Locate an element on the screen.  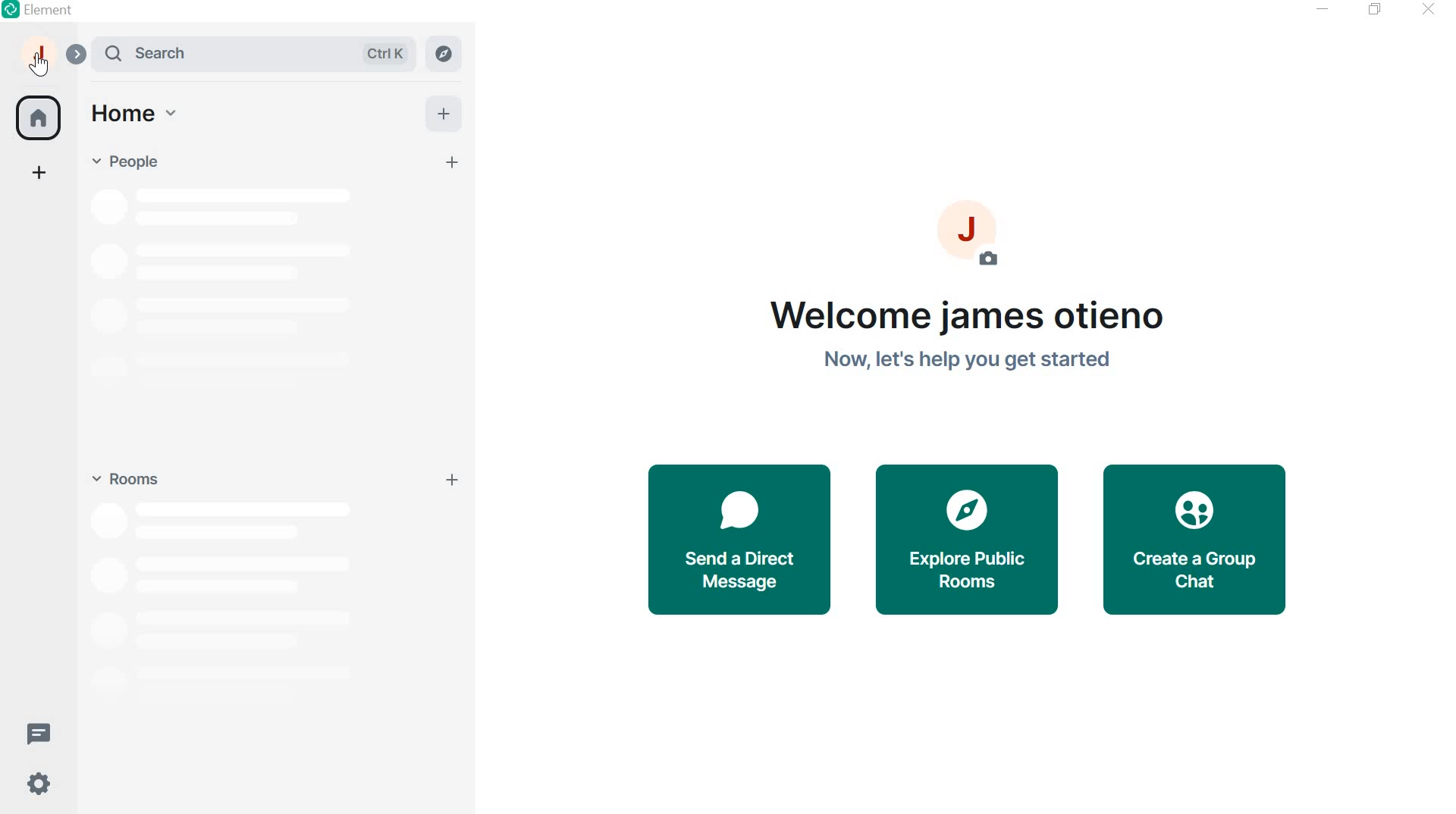
MINIMIZE is located at coordinates (1324, 9).